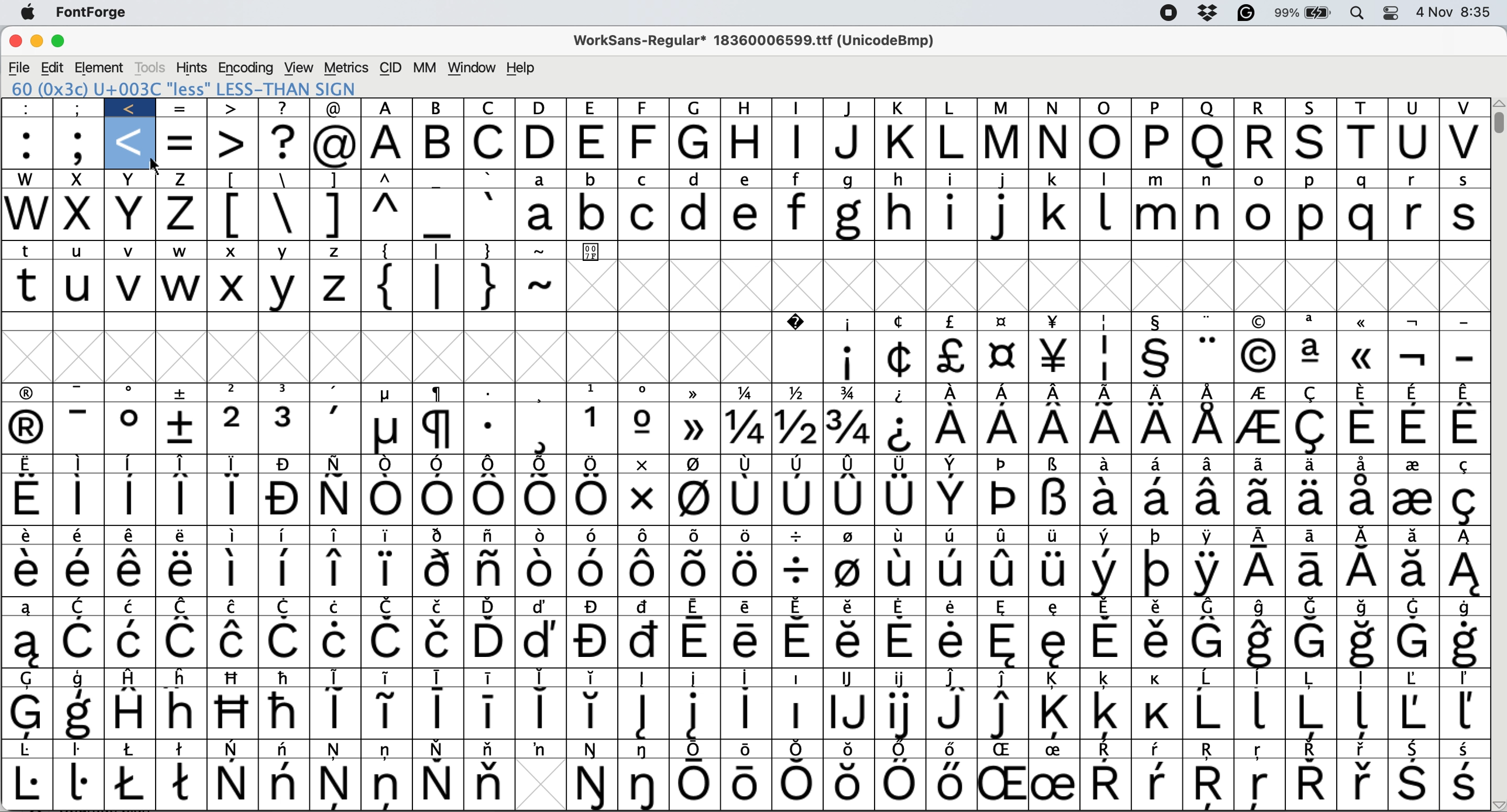 The height and width of the screenshot is (812, 1507). Describe the element at coordinates (1209, 643) in the screenshot. I see `Symbol` at that location.